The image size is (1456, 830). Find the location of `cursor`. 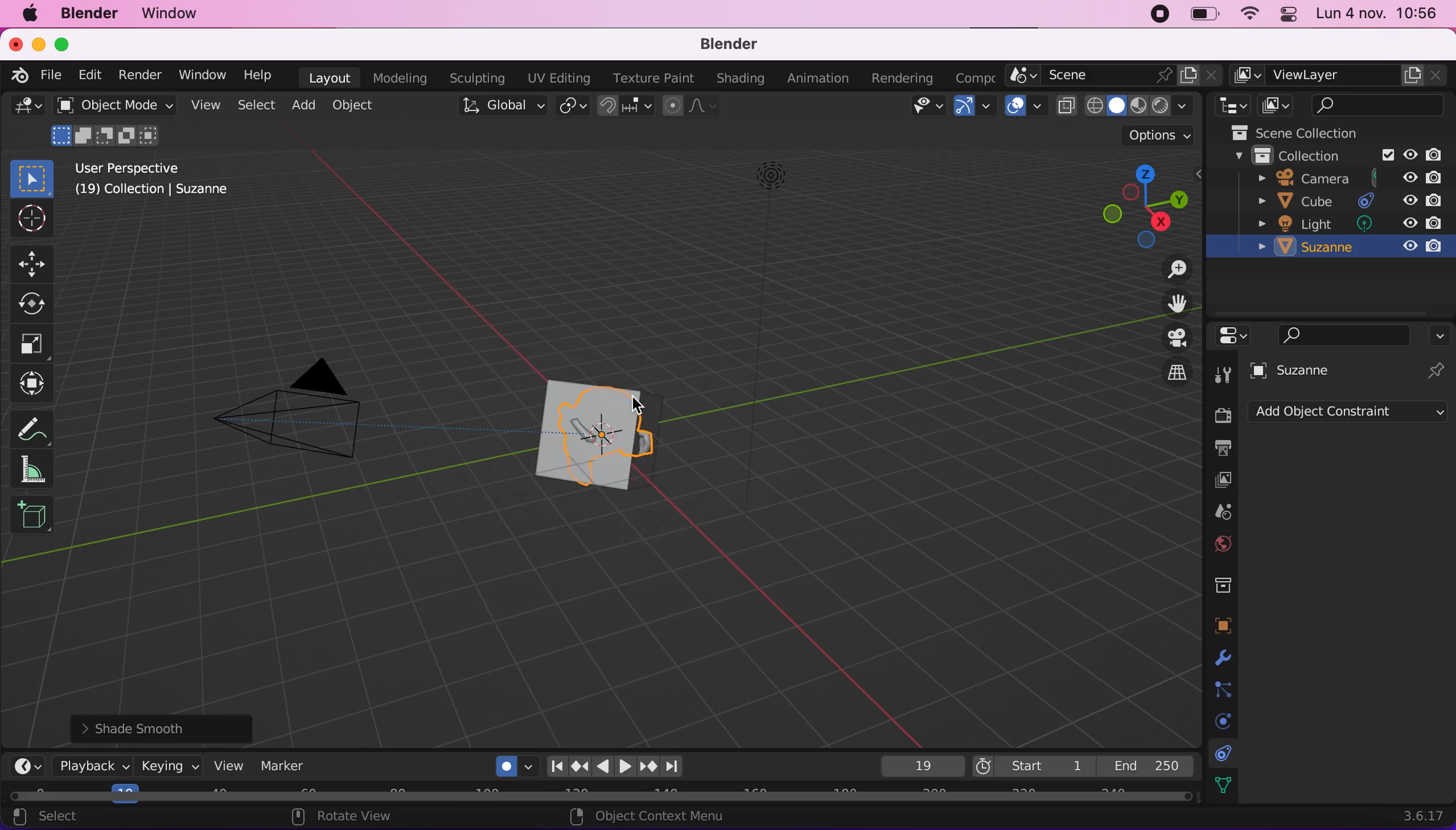

cursor is located at coordinates (30, 220).